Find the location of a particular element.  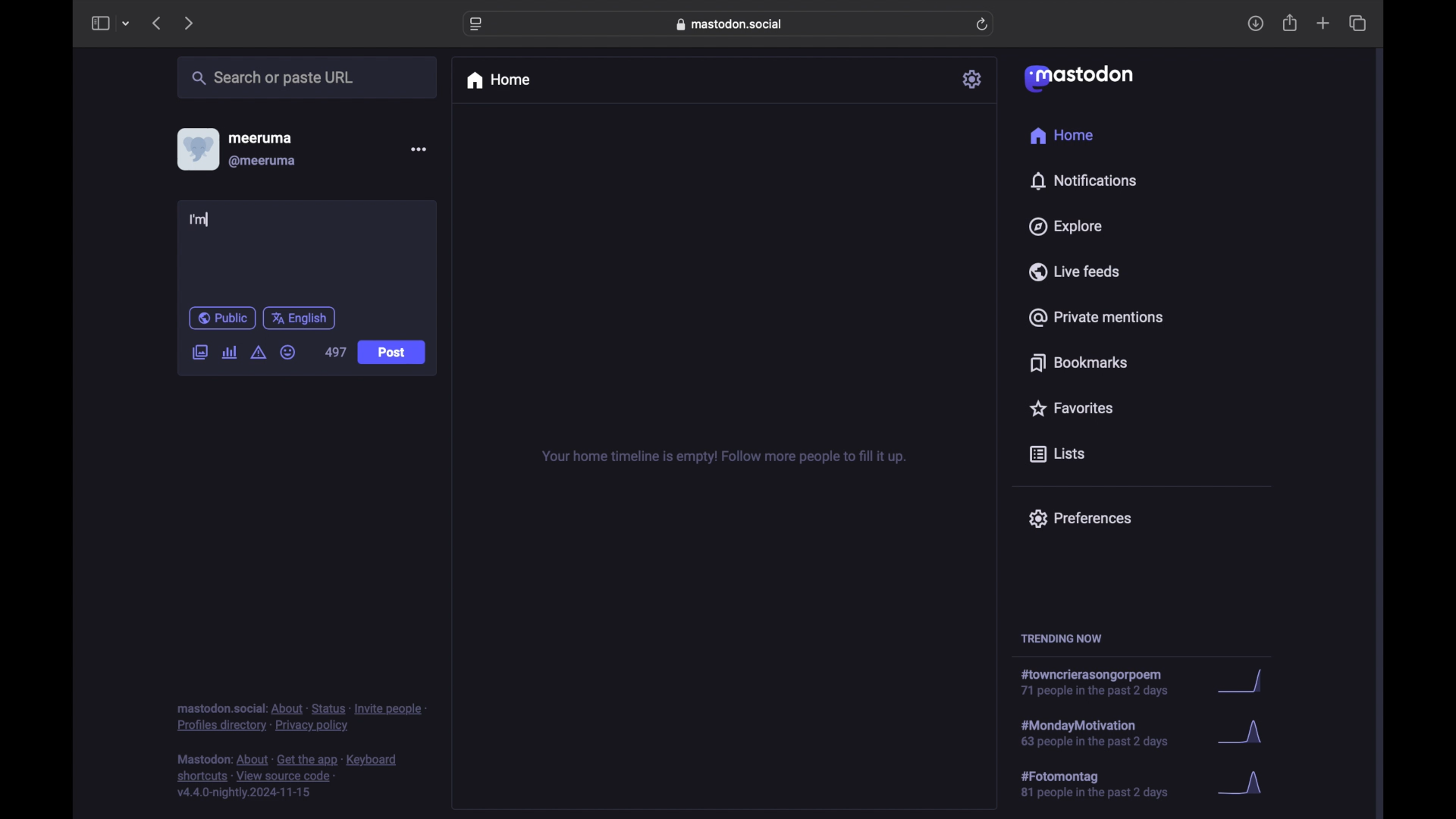

english is located at coordinates (300, 318).